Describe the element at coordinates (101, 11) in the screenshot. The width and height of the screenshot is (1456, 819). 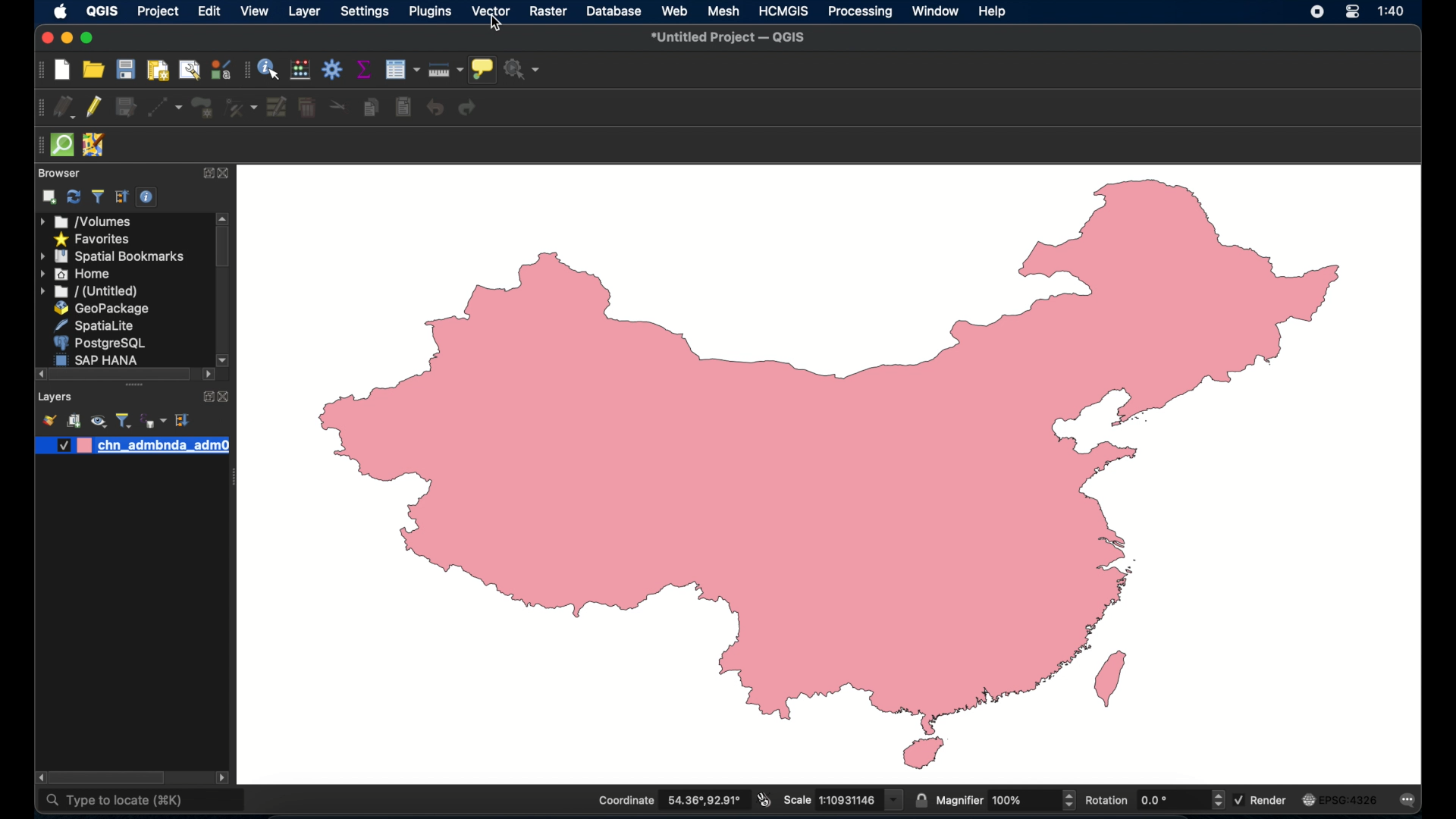
I see `QGIS` at that location.